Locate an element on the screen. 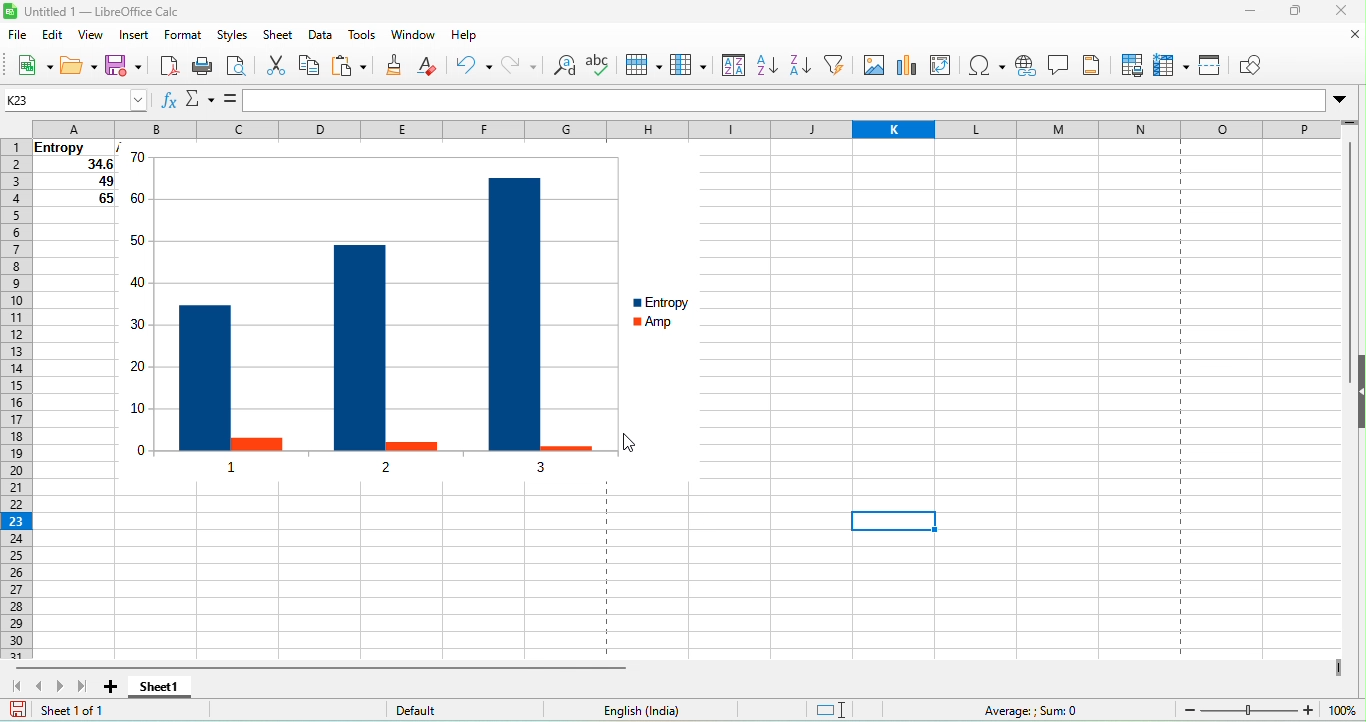 This screenshot has width=1366, height=722. function wizard is located at coordinates (169, 101).